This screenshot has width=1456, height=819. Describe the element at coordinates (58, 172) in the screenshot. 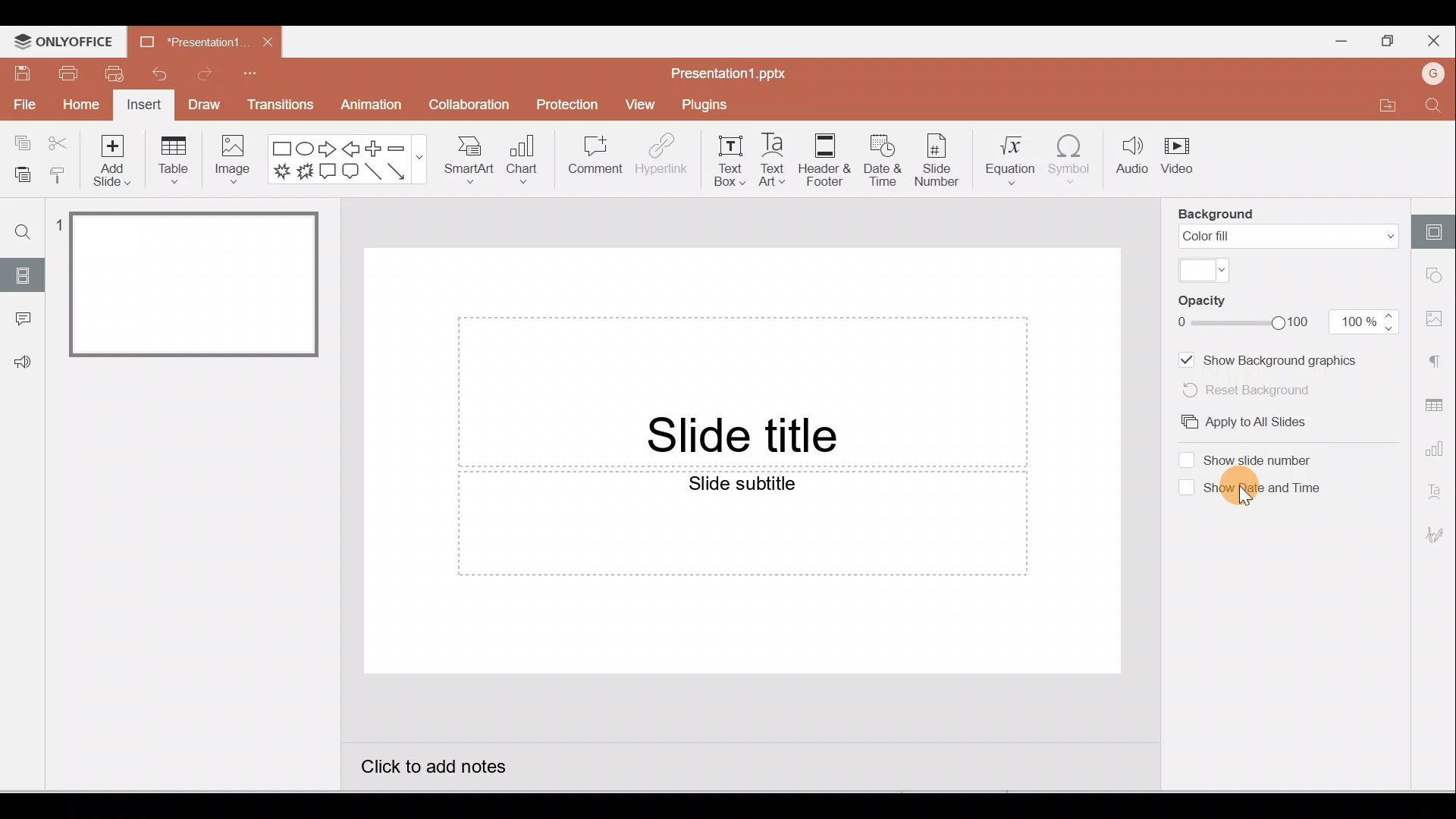

I see `Copy formatting` at that location.